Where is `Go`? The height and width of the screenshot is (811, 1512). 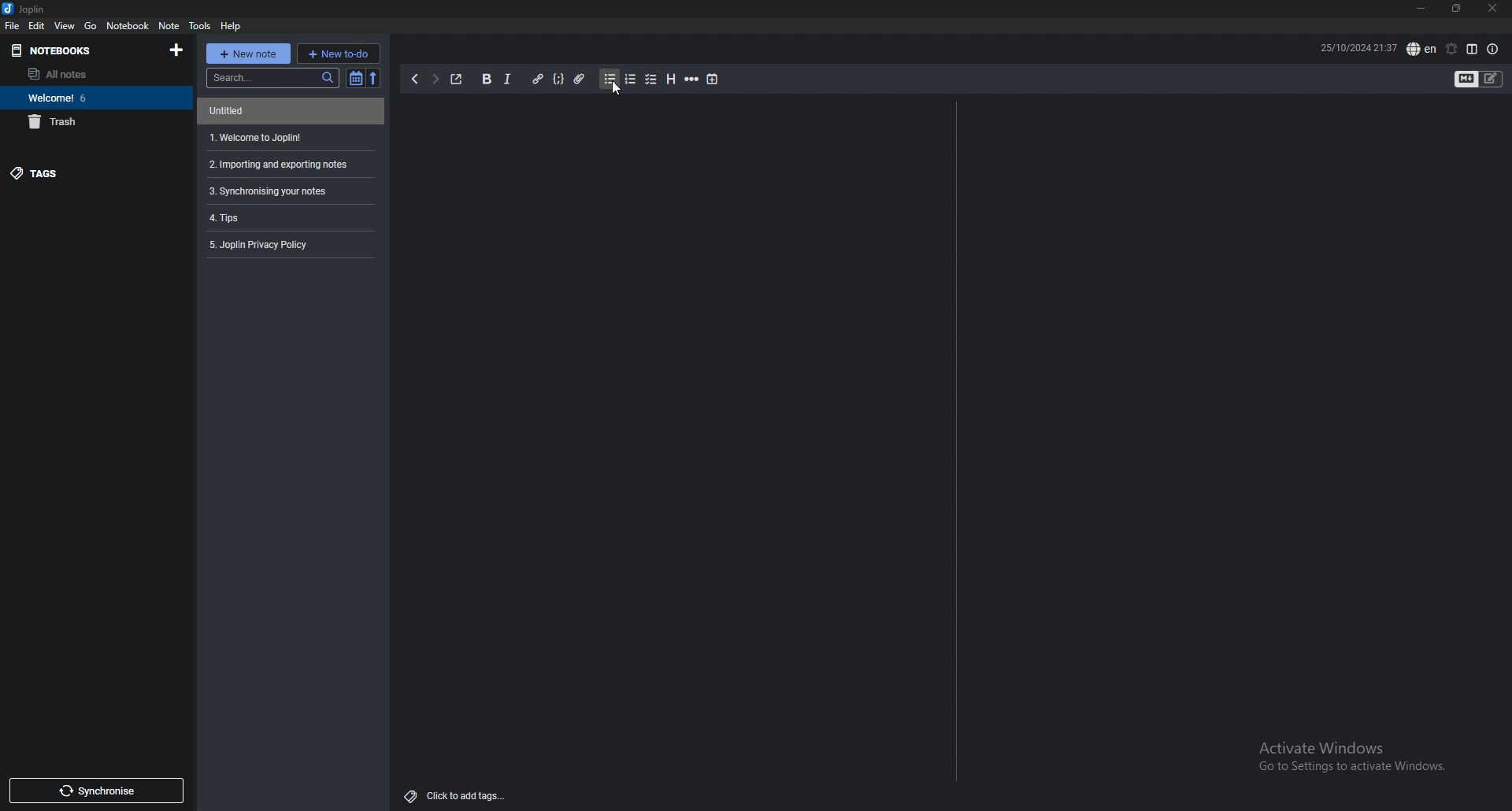
Go is located at coordinates (88, 25).